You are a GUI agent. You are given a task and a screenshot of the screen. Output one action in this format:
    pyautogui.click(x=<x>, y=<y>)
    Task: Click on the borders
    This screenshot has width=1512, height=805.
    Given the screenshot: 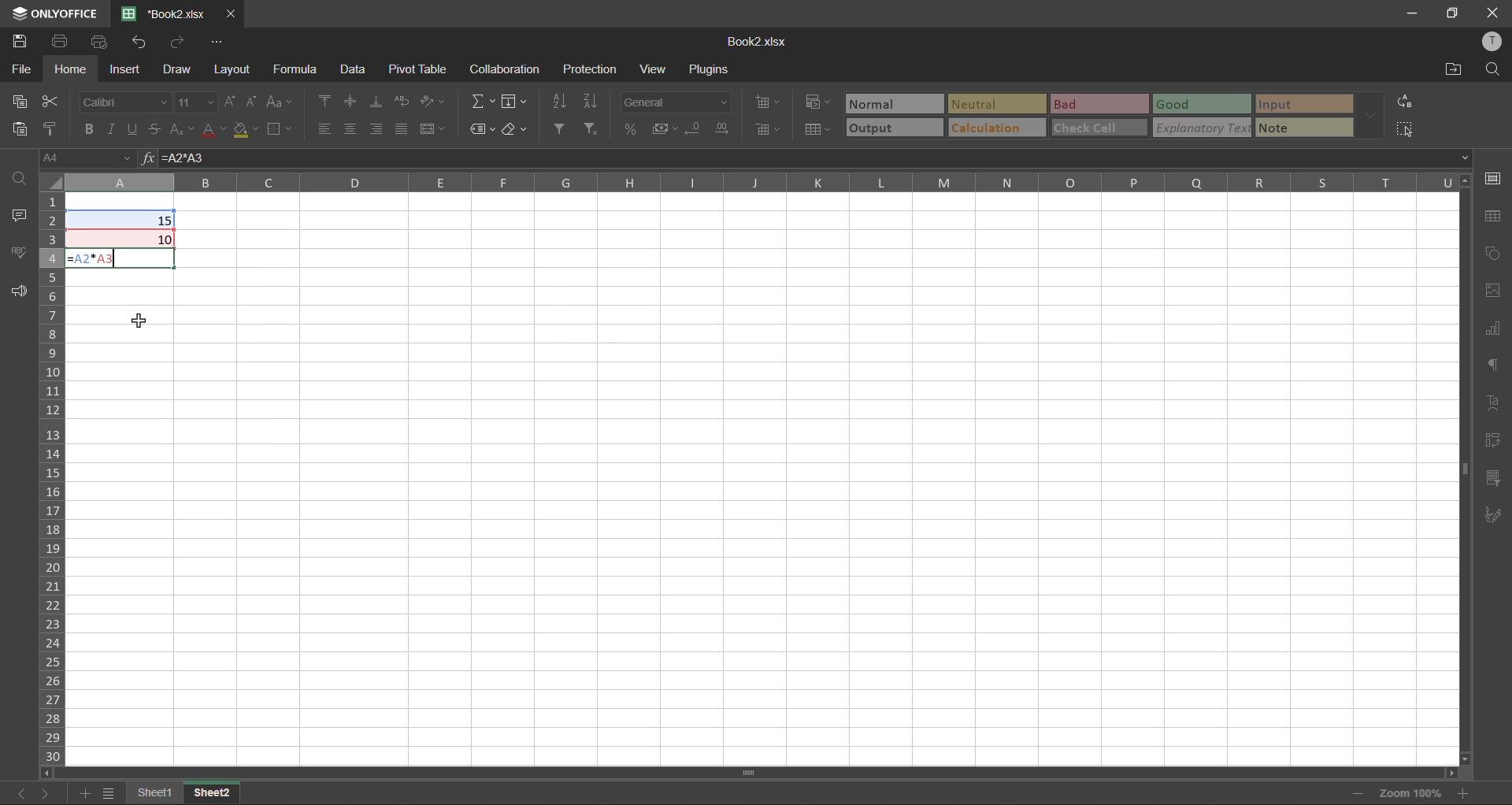 What is the action you would take?
    pyautogui.click(x=281, y=131)
    